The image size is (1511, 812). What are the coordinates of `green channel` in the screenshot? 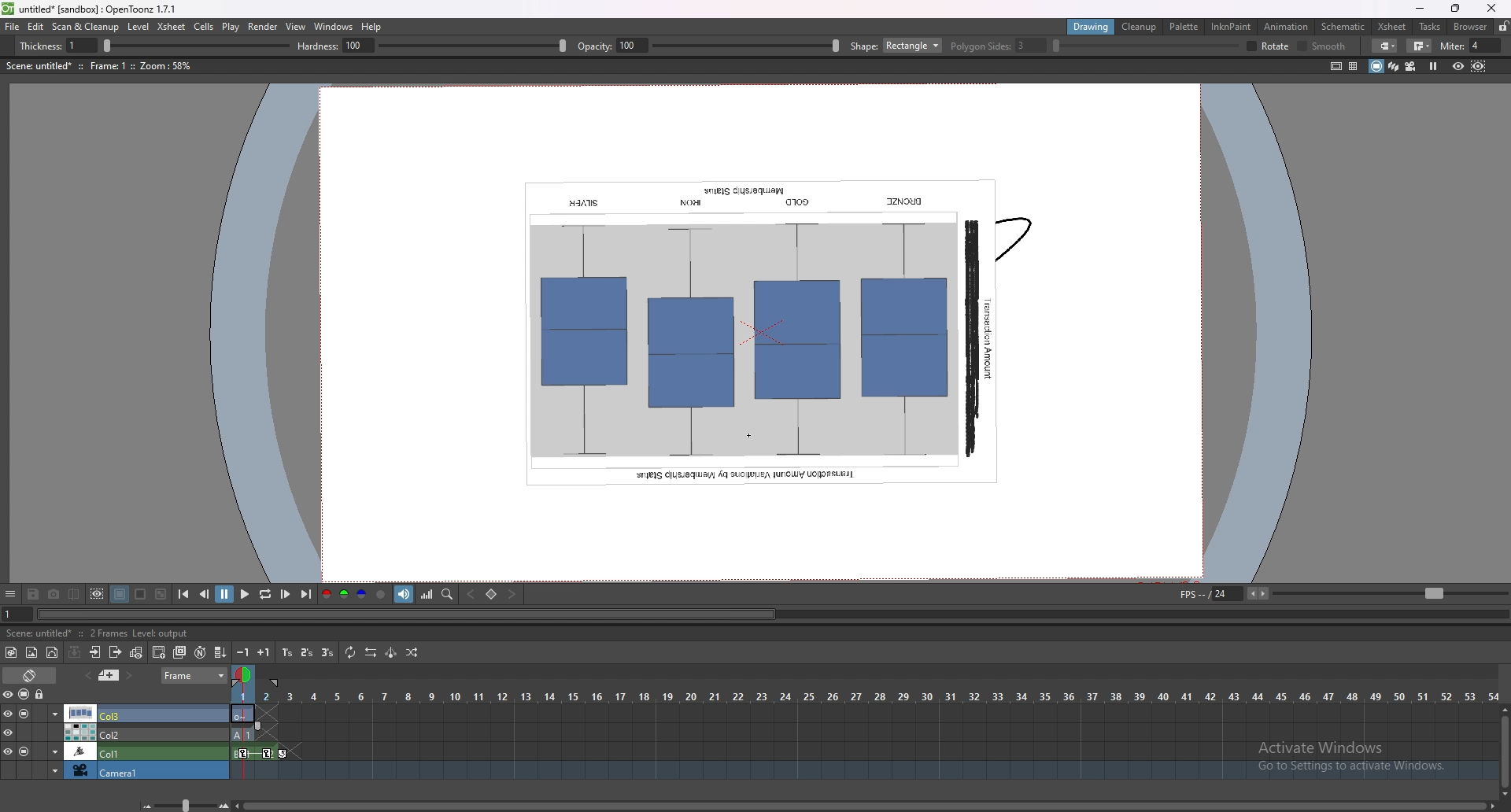 It's located at (343, 595).